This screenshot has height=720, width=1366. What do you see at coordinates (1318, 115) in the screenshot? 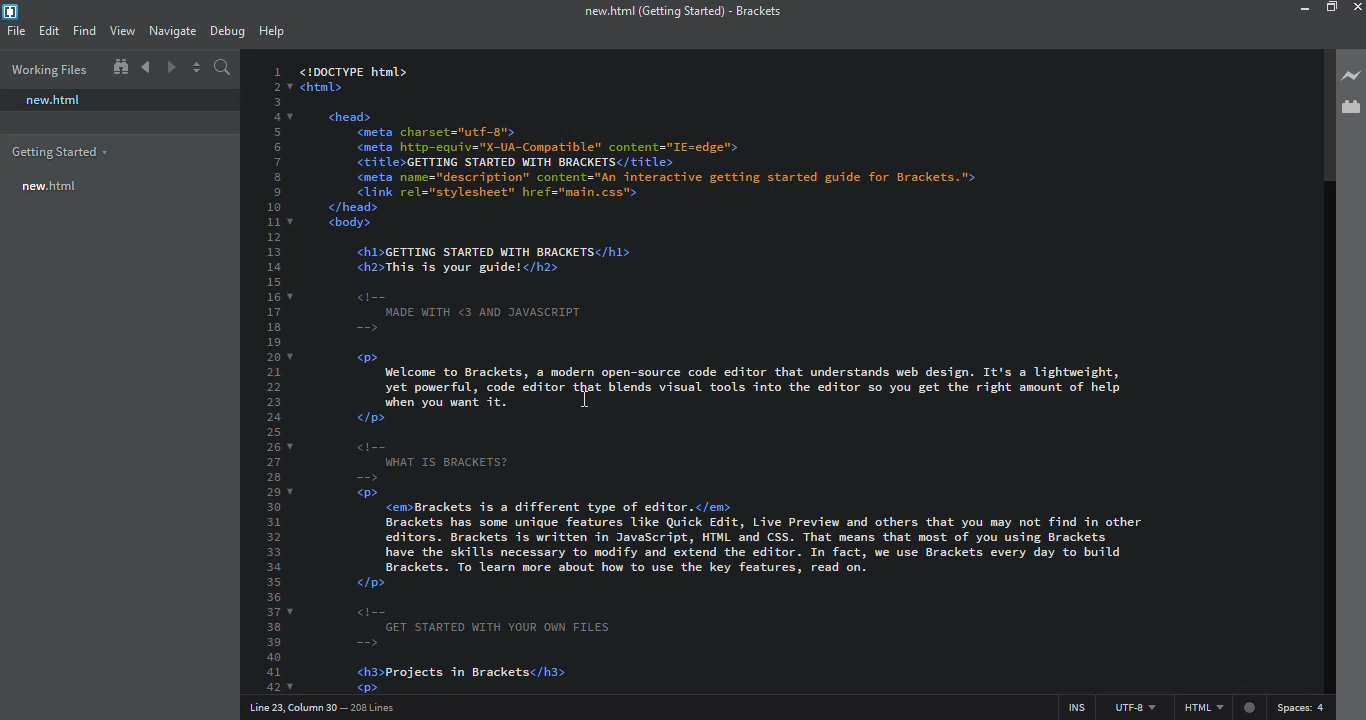
I see `scroll bar` at bounding box center [1318, 115].